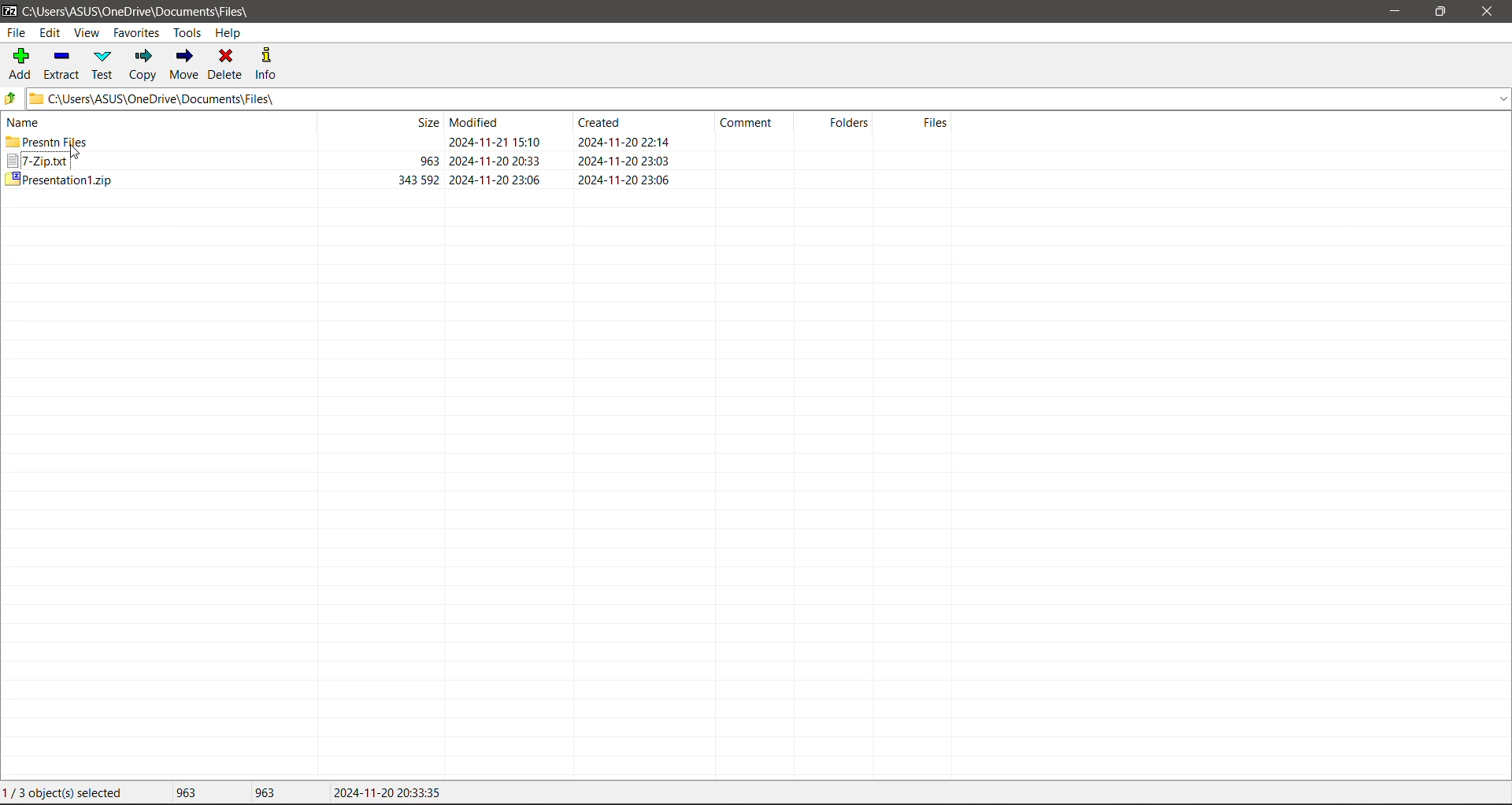 This screenshot has width=1512, height=805. I want to click on Move Up one level, so click(10, 98).